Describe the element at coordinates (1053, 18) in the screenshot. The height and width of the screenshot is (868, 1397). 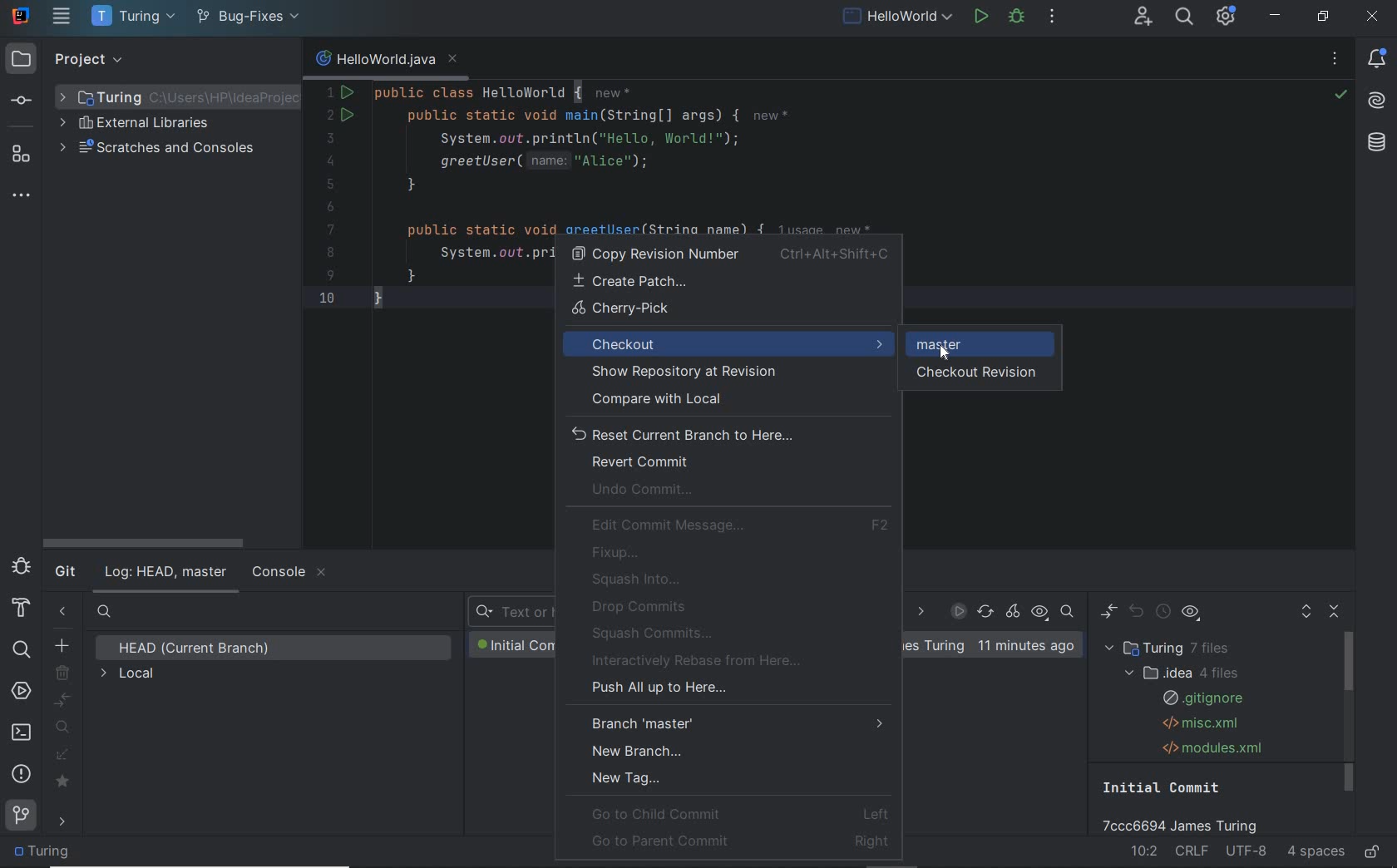
I see `more actions` at that location.